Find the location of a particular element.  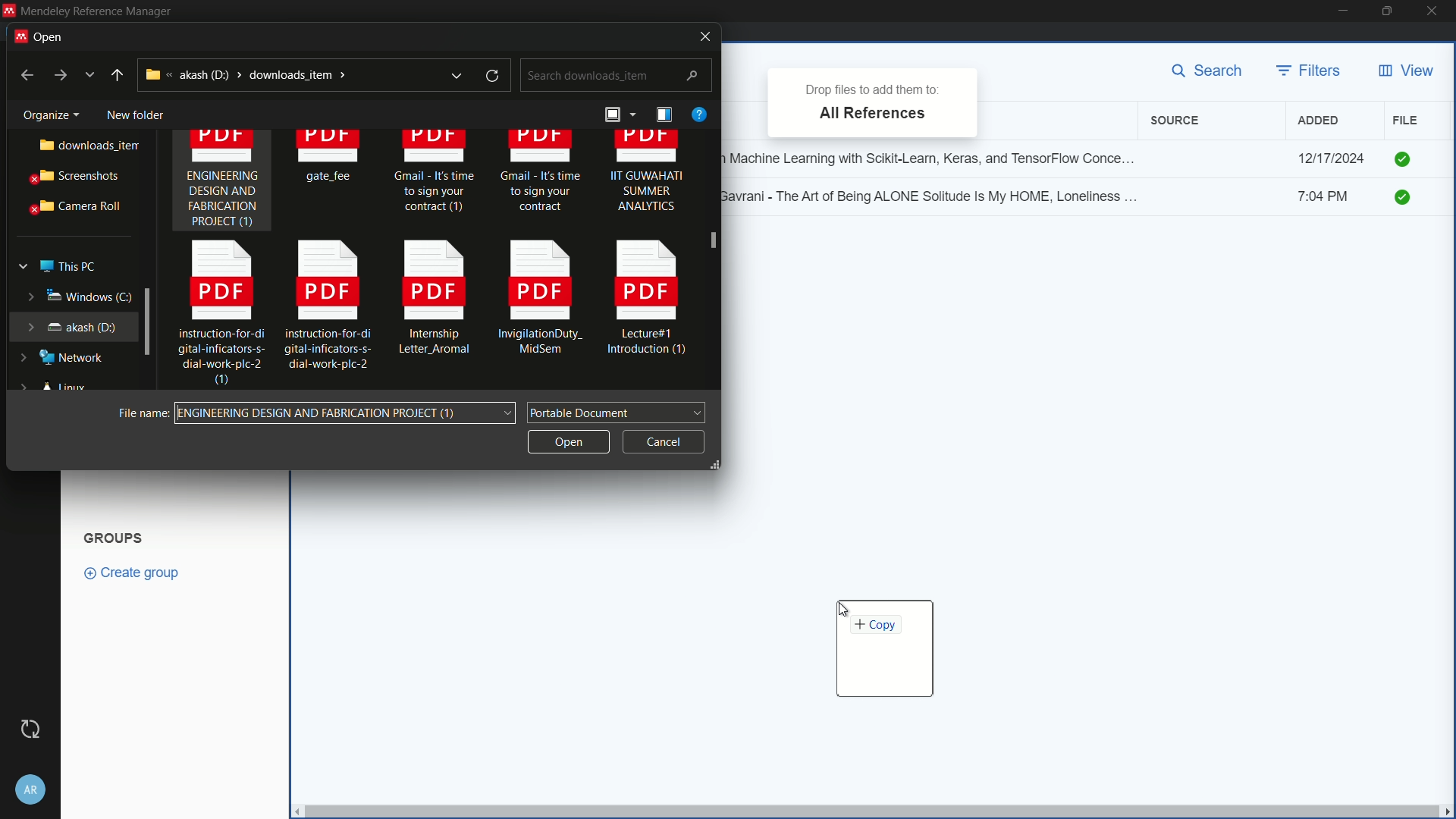

view is located at coordinates (1405, 71).